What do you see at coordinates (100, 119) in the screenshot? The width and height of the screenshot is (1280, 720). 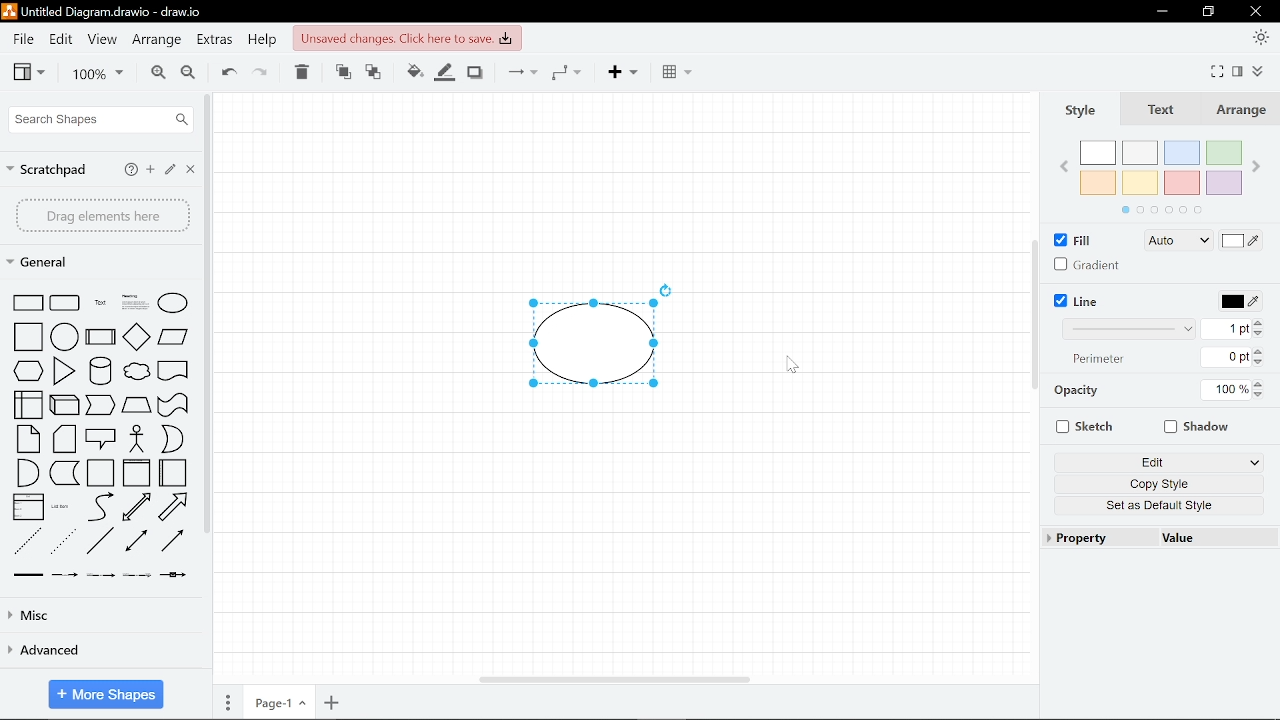 I see `Search by shapes` at bounding box center [100, 119].